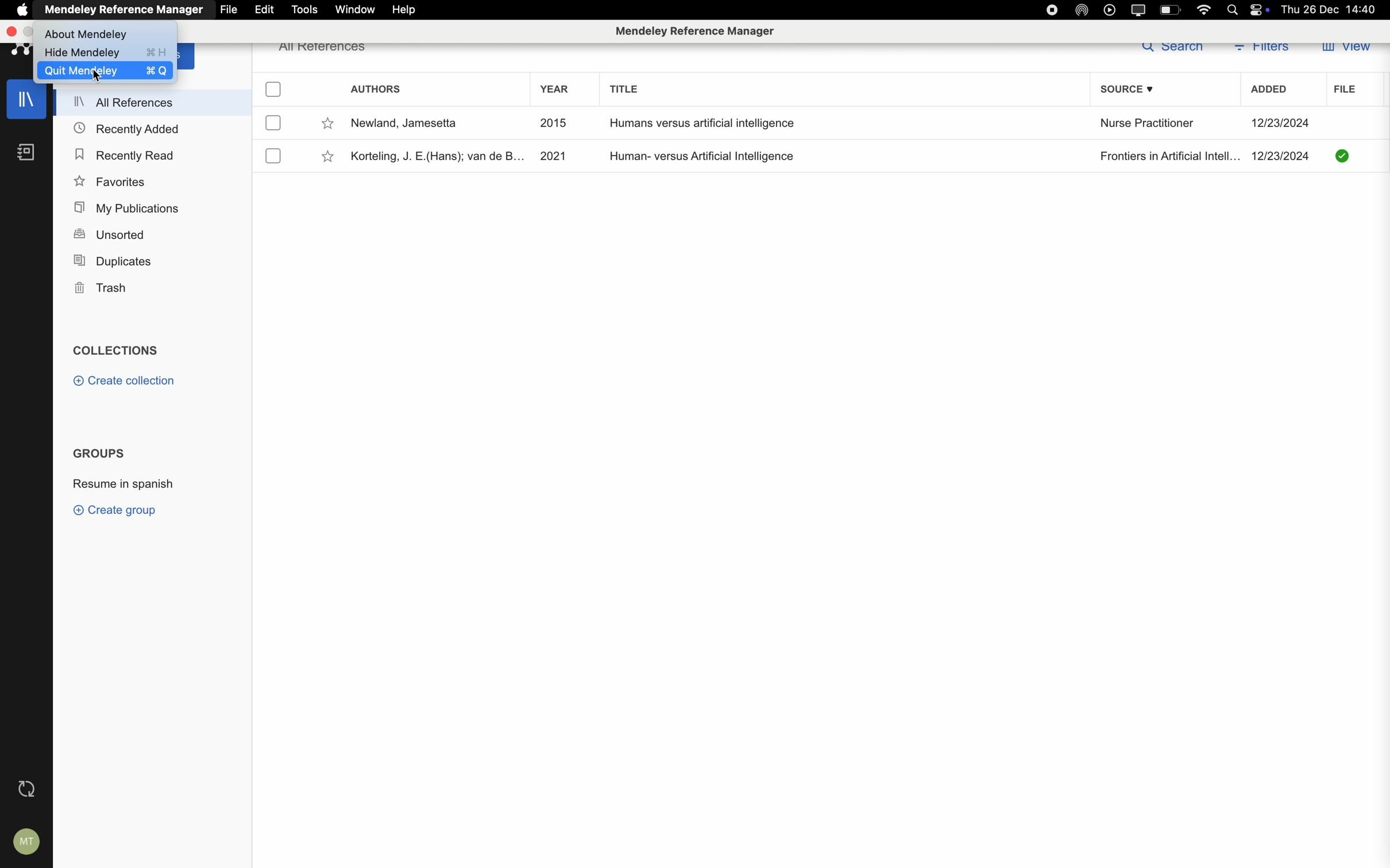 This screenshot has height=868, width=1390. What do you see at coordinates (329, 125) in the screenshot?
I see `favorite` at bounding box center [329, 125].